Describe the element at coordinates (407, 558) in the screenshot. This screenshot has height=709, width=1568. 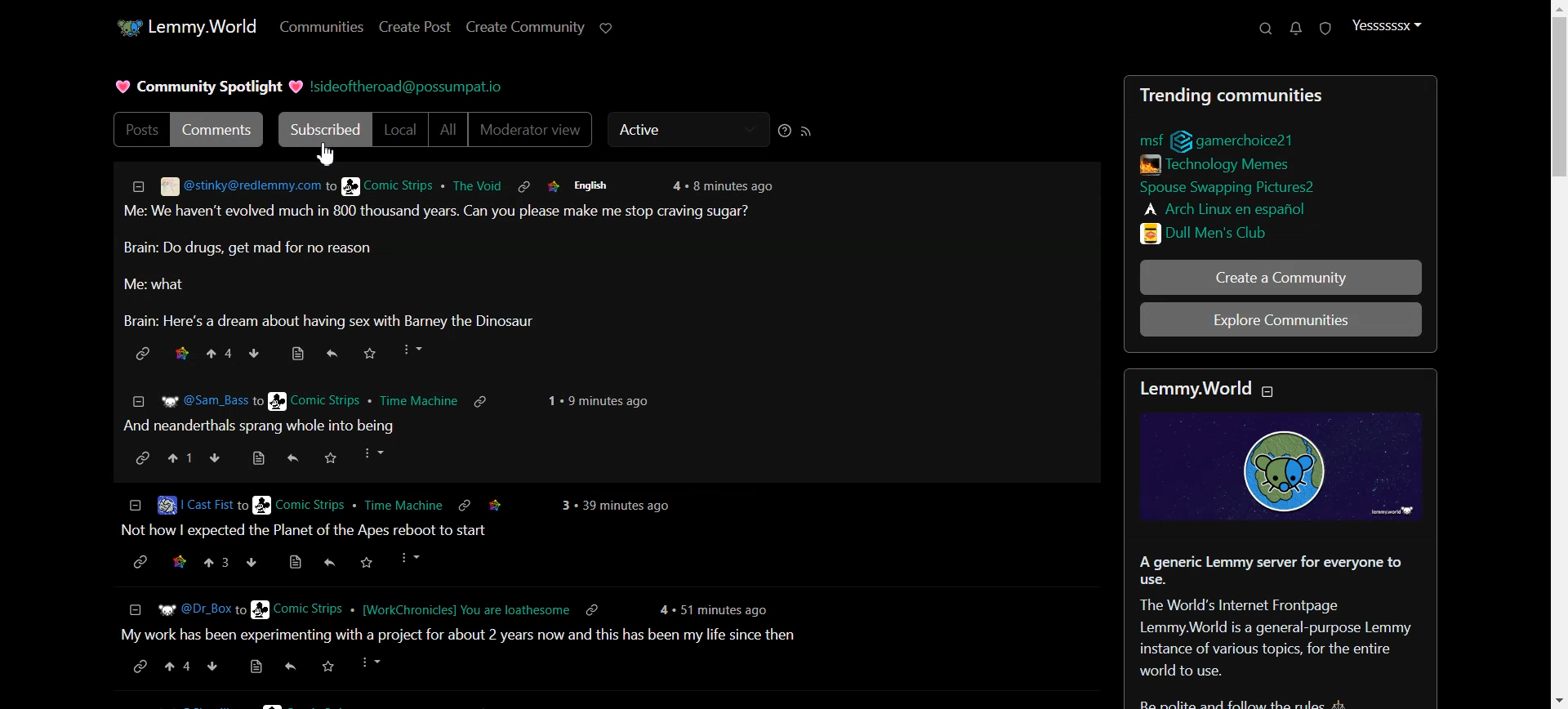
I see `more` at that location.